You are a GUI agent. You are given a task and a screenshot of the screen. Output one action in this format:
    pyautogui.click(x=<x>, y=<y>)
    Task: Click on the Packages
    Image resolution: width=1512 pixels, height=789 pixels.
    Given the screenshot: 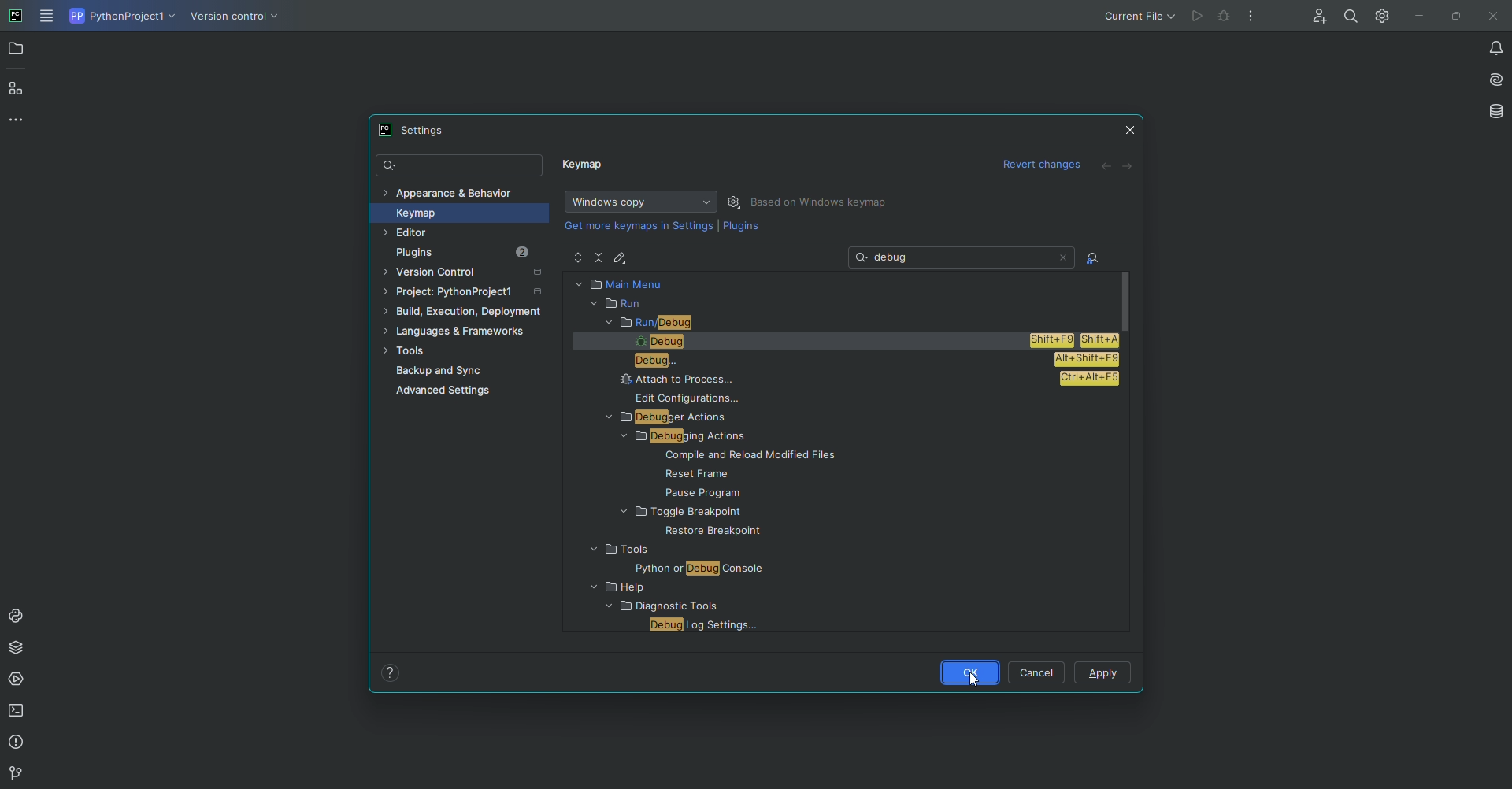 What is the action you would take?
    pyautogui.click(x=20, y=647)
    